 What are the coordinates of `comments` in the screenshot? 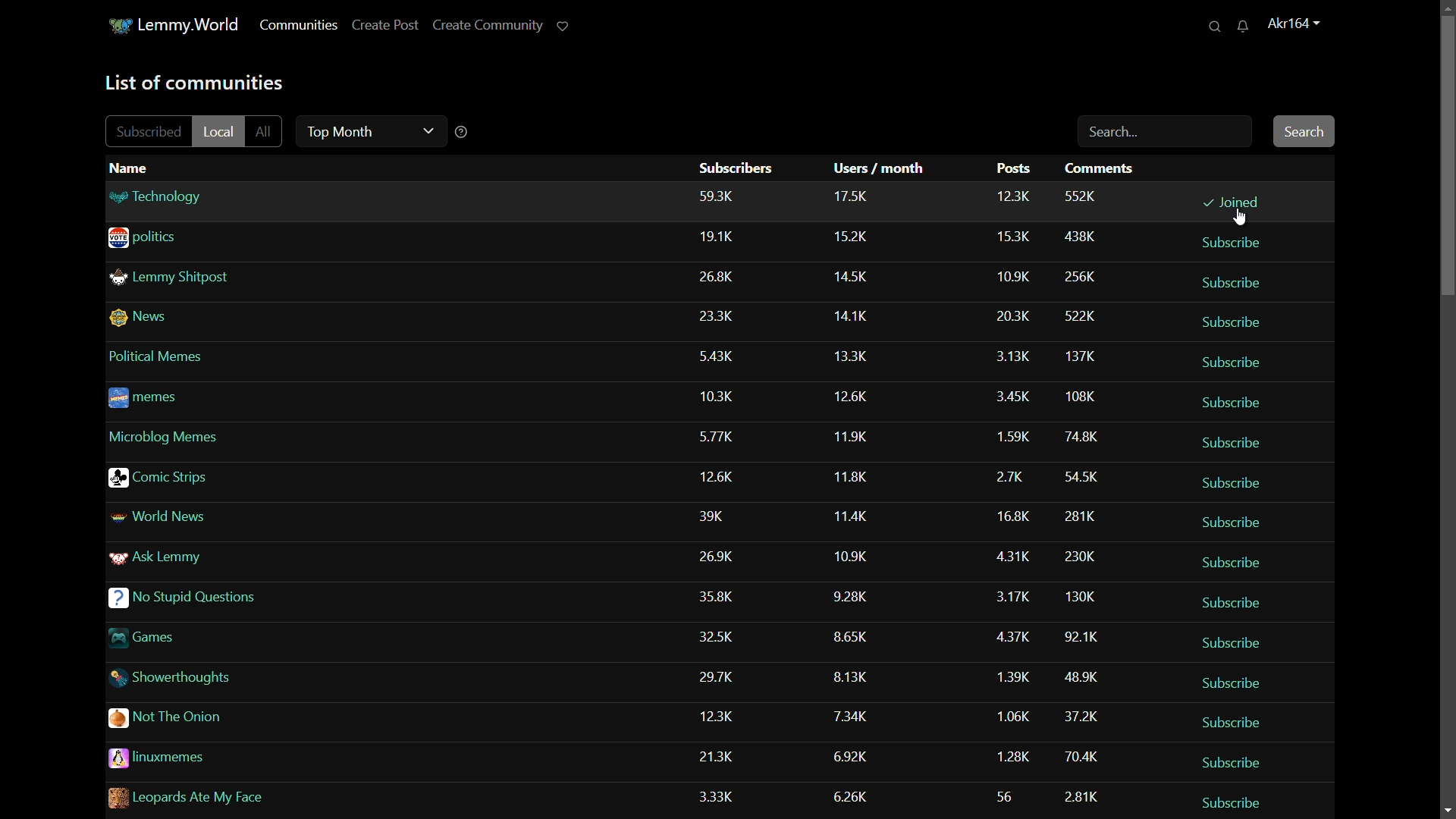 It's located at (1083, 513).